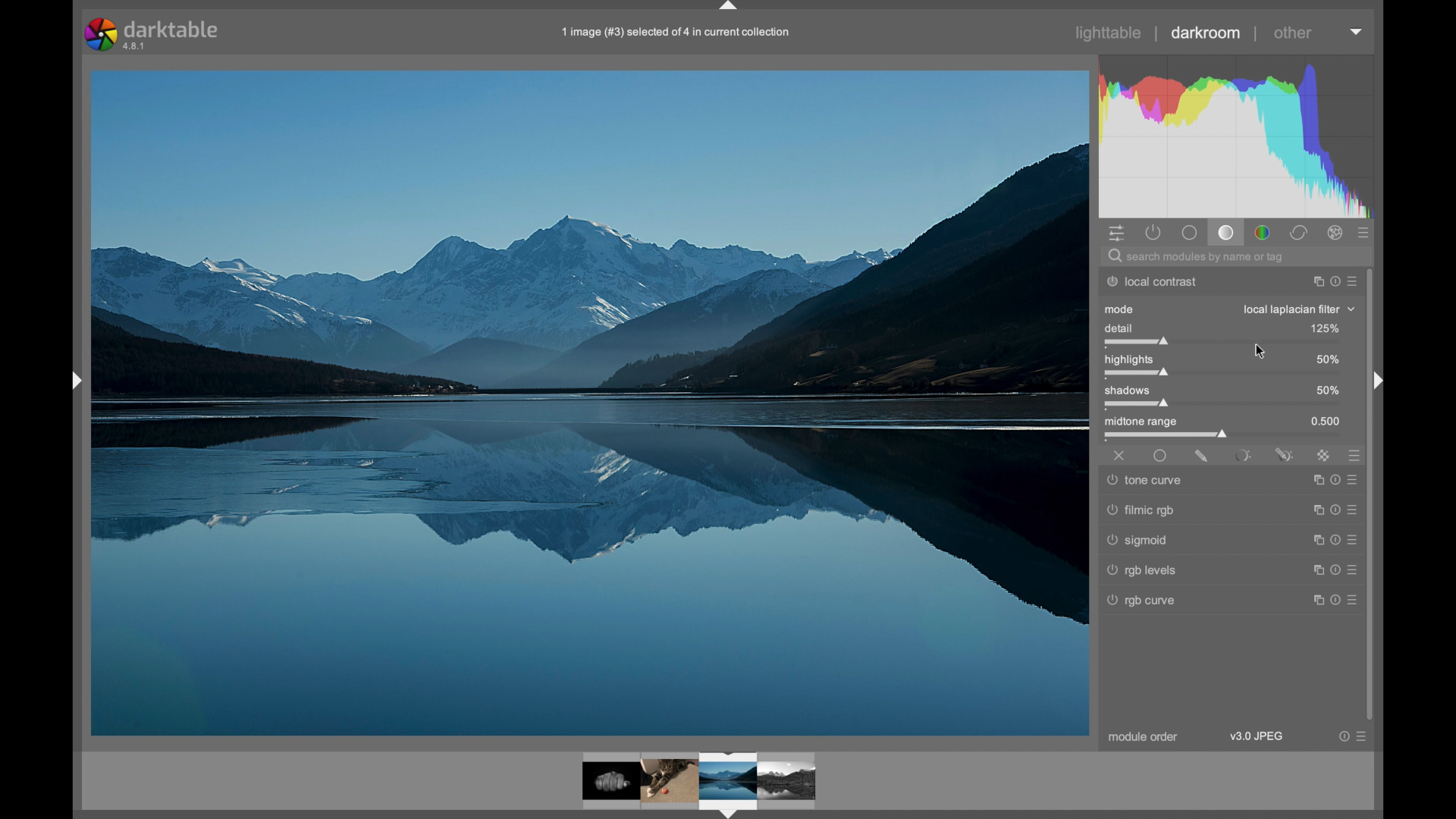 The width and height of the screenshot is (1456, 819). Describe the element at coordinates (1328, 391) in the screenshot. I see `50%` at that location.